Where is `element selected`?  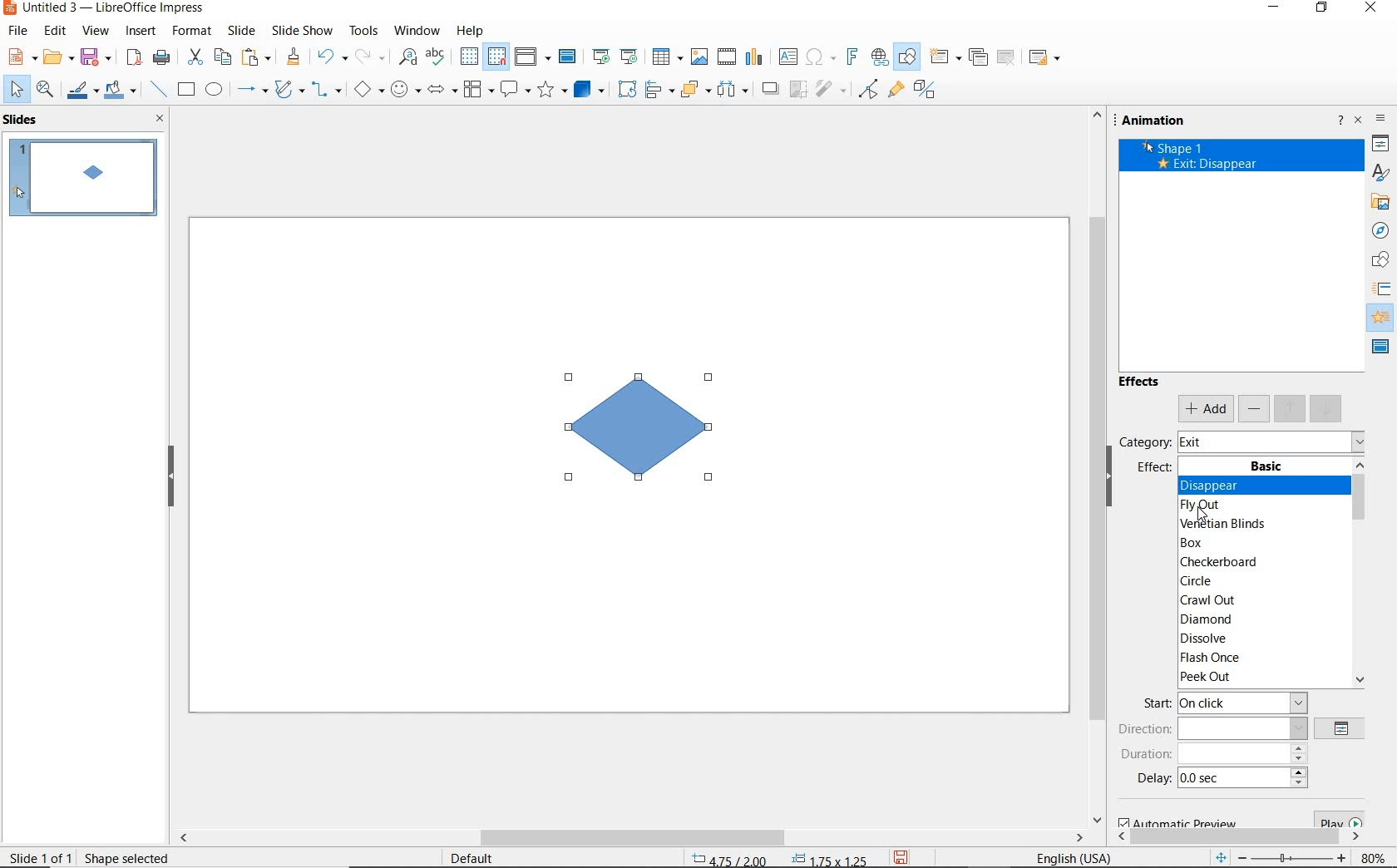 element selected is located at coordinates (639, 426).